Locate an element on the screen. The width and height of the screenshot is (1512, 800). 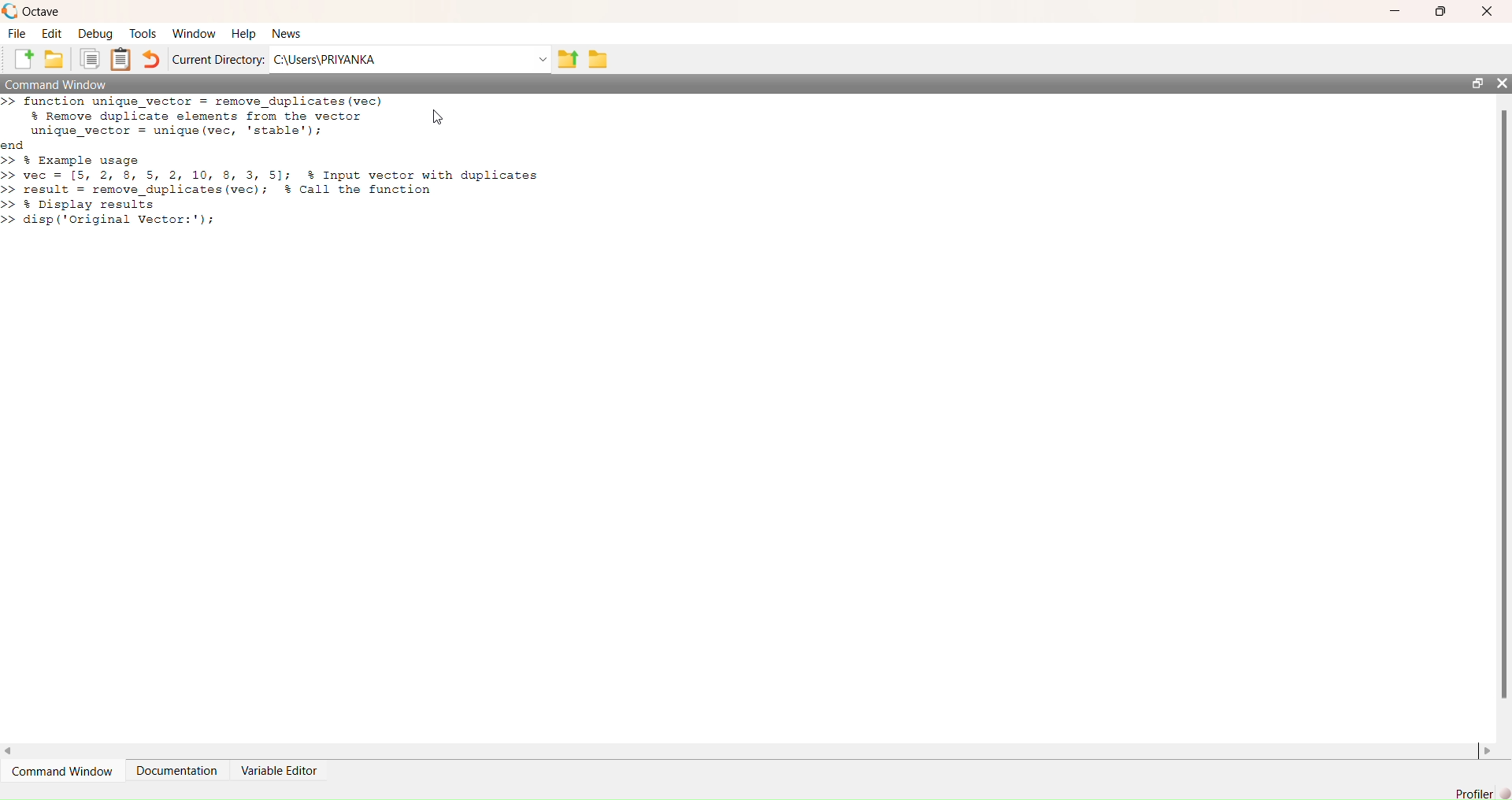
command window is located at coordinates (65, 771).